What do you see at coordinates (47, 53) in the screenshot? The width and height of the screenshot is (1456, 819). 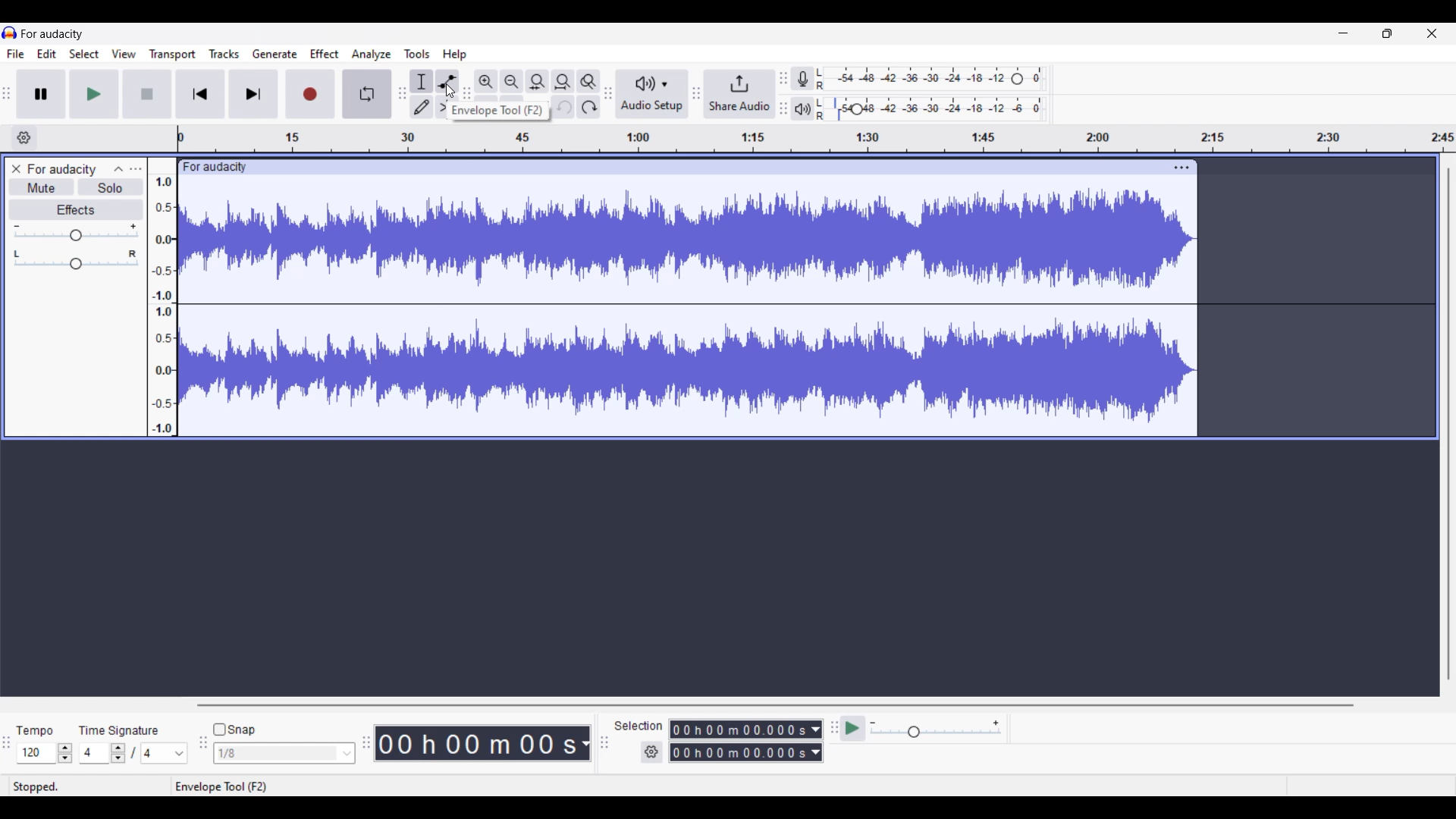 I see `Edit` at bounding box center [47, 53].